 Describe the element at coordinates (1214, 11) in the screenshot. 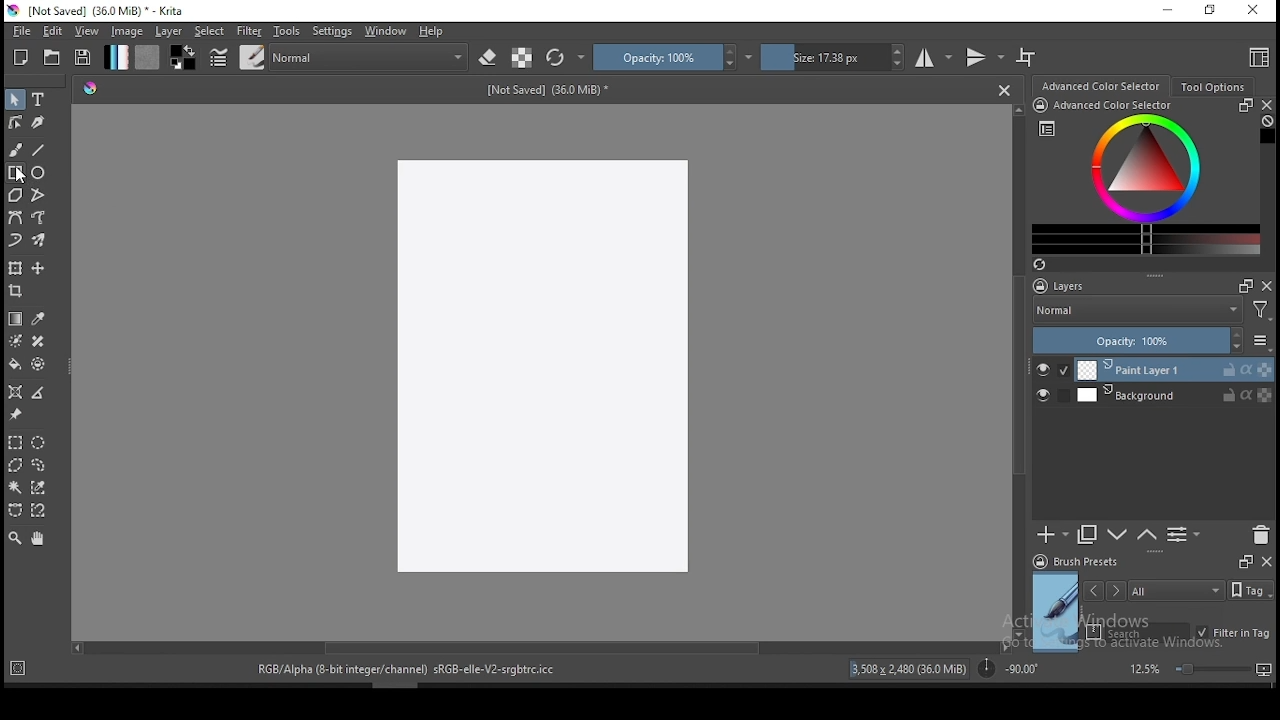

I see `restore` at that location.